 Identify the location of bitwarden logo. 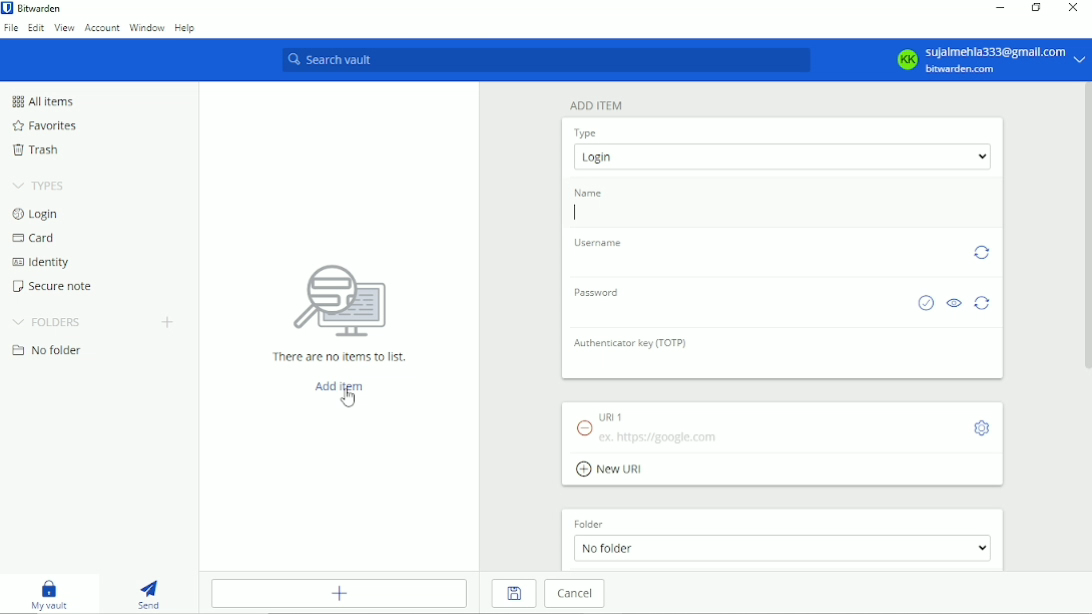
(7, 7).